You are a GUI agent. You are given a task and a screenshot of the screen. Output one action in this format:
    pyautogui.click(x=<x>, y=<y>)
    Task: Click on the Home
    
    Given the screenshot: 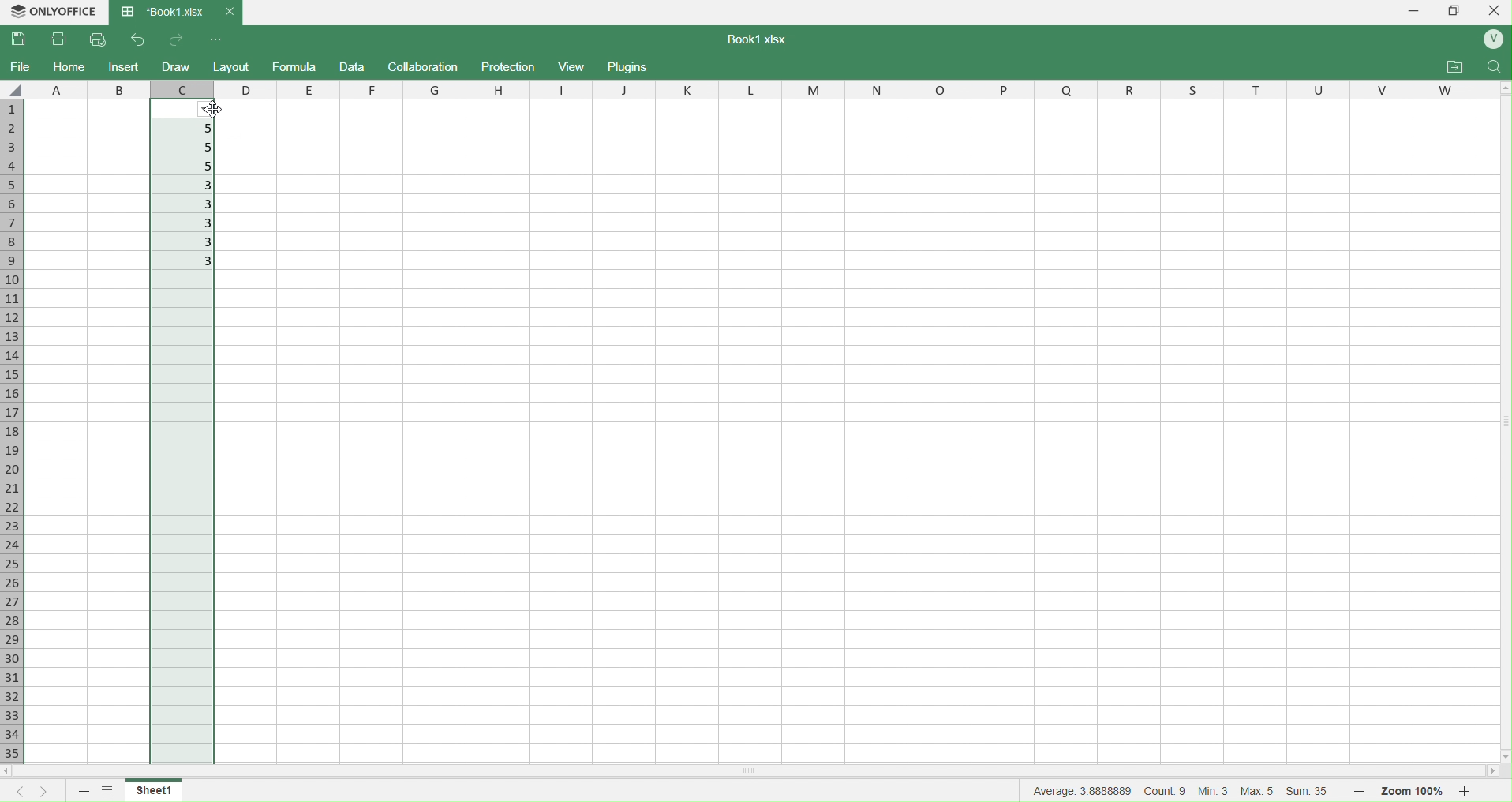 What is the action you would take?
    pyautogui.click(x=69, y=67)
    